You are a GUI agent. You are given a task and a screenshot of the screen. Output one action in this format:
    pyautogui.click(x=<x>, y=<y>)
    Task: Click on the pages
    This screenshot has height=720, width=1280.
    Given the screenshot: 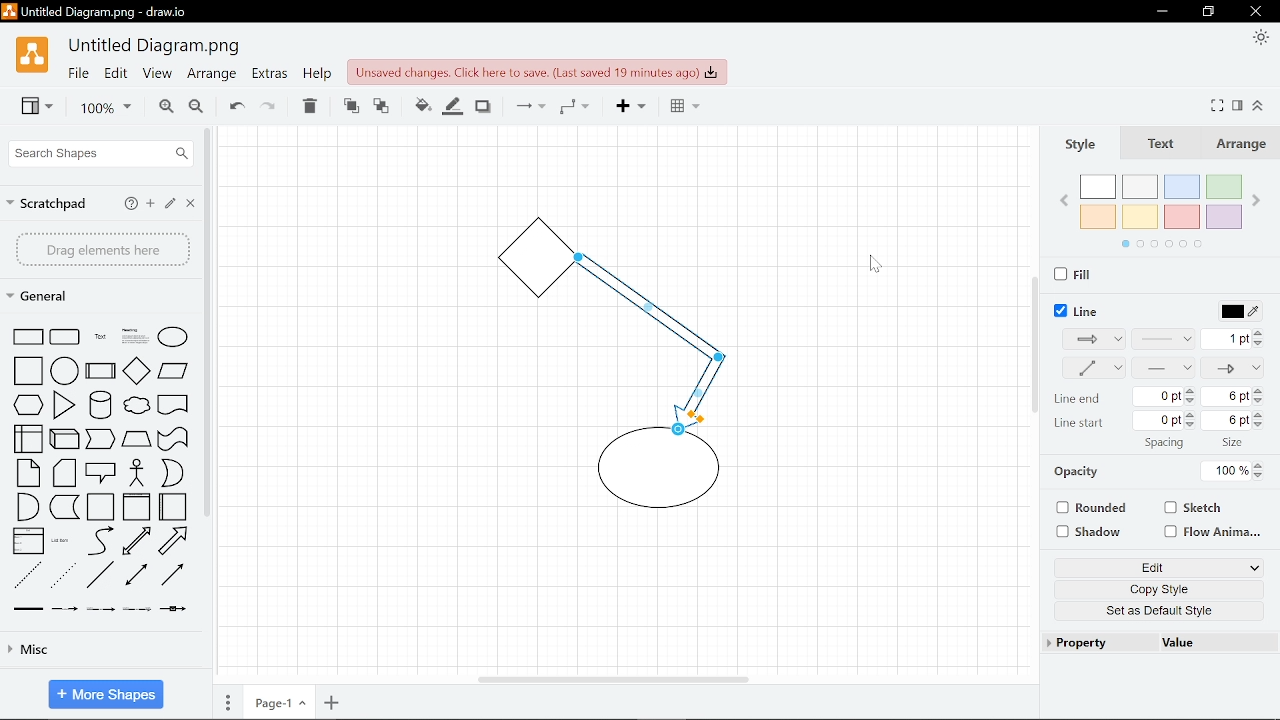 What is the action you would take?
    pyautogui.click(x=228, y=703)
    